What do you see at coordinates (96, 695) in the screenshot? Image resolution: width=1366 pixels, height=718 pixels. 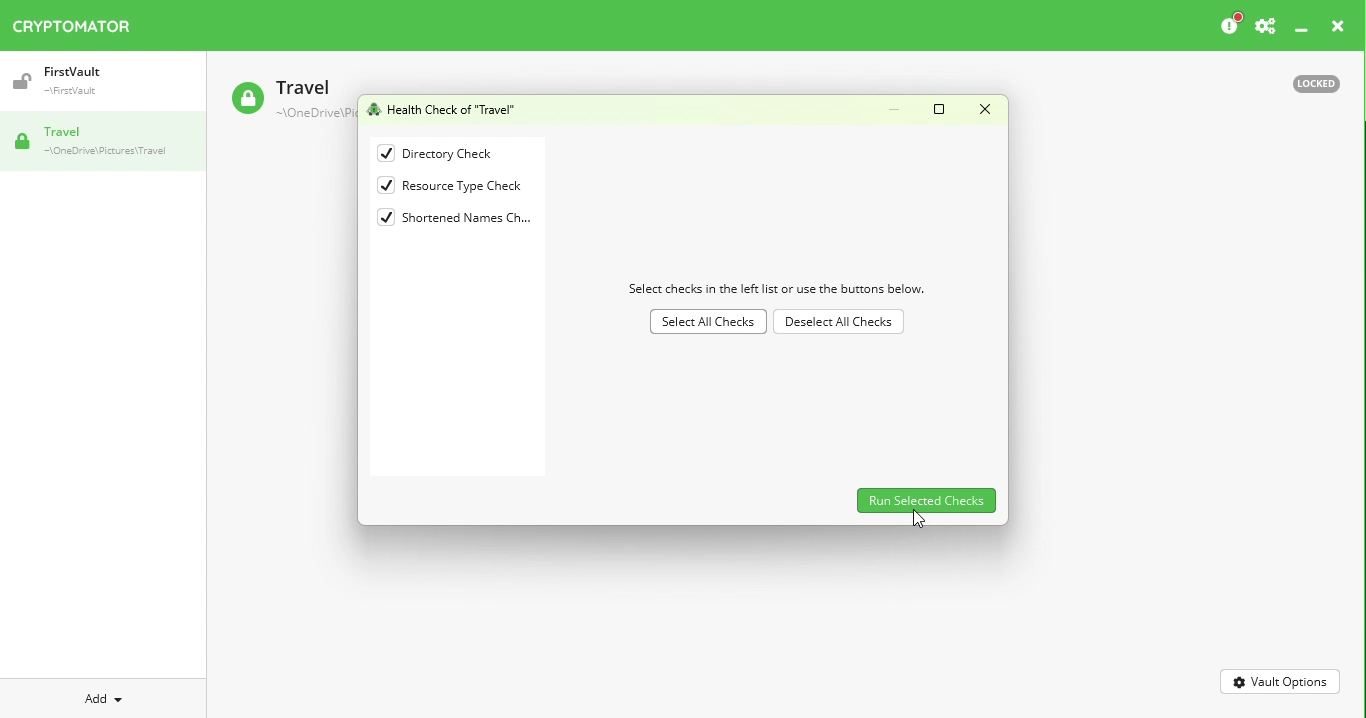 I see `Add dropdown` at bounding box center [96, 695].